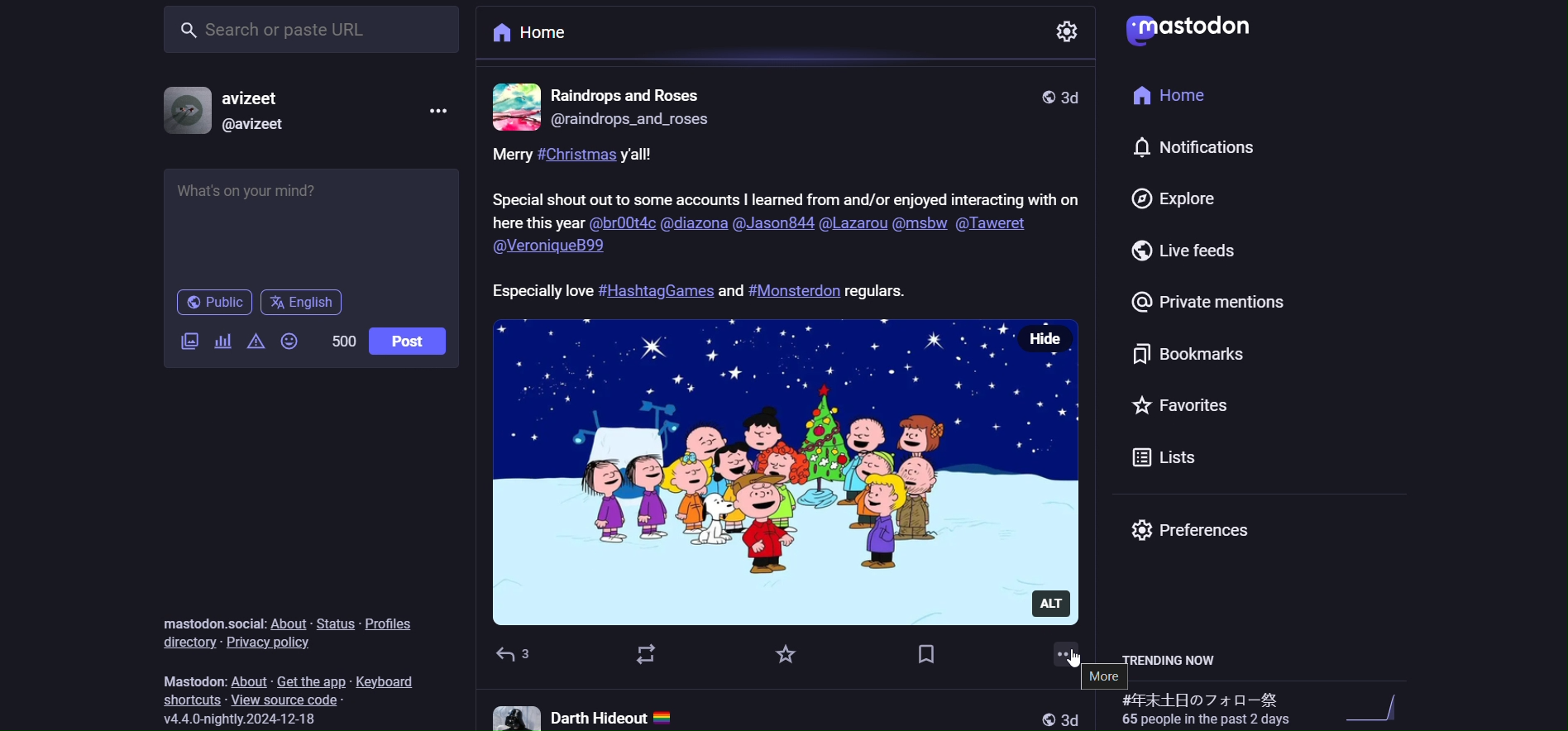  I want to click on english, so click(307, 303).